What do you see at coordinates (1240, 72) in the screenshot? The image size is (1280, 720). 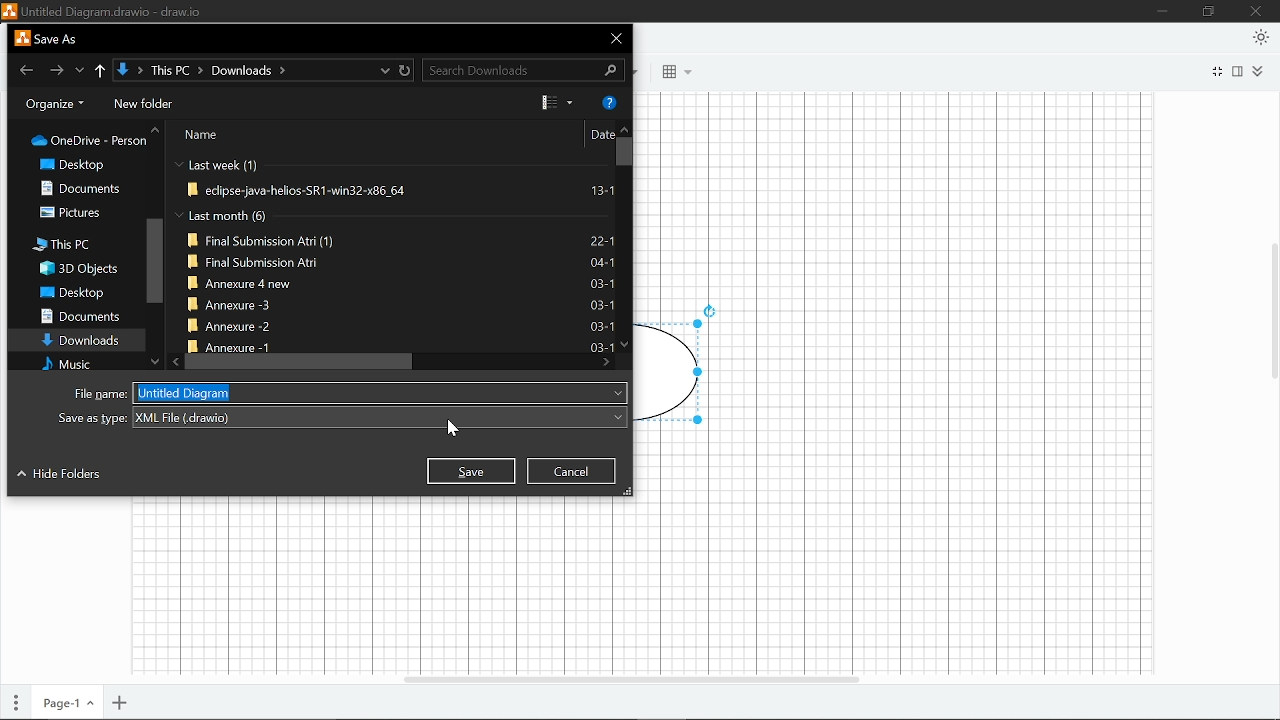 I see `Format` at bounding box center [1240, 72].